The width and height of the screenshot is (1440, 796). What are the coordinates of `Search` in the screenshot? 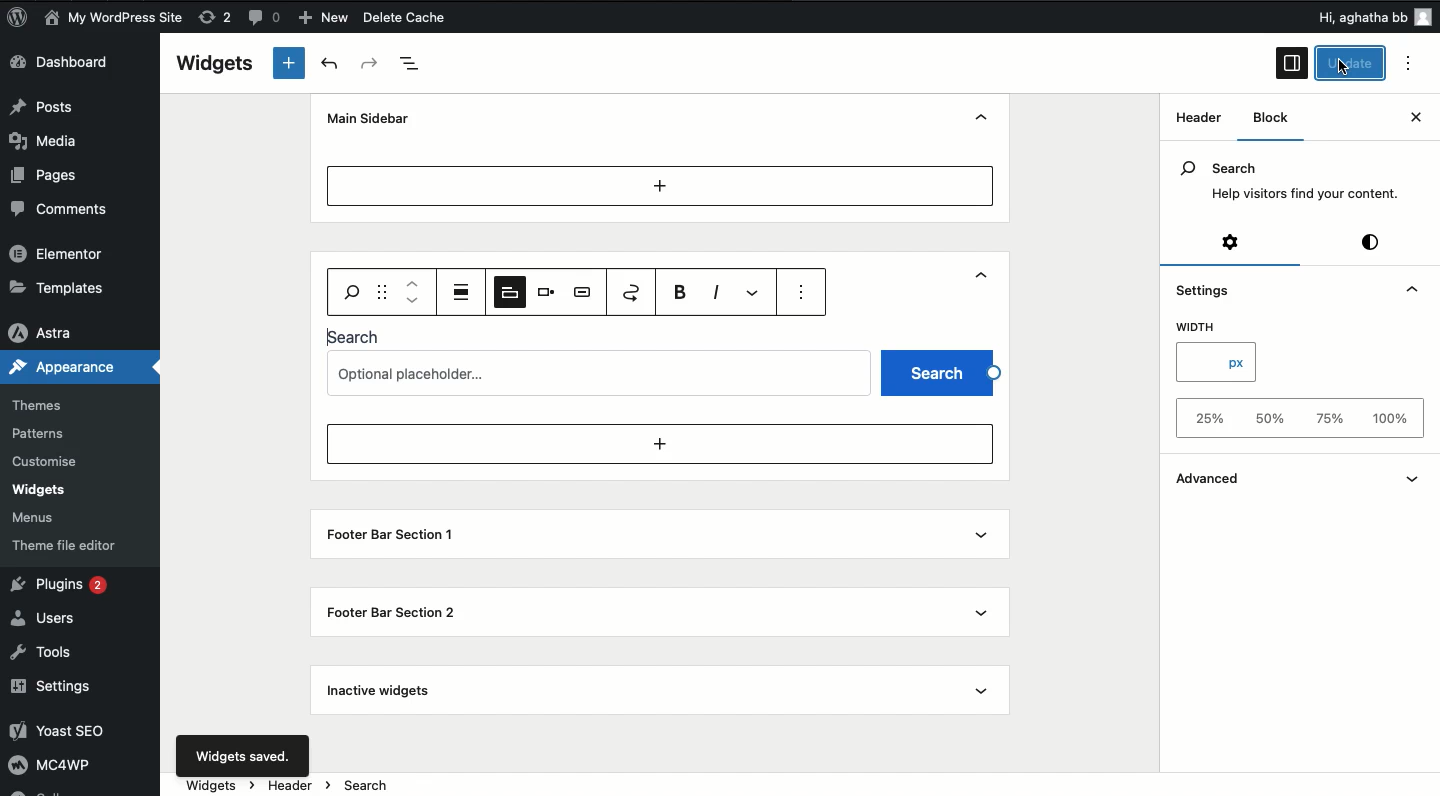 It's located at (357, 336).